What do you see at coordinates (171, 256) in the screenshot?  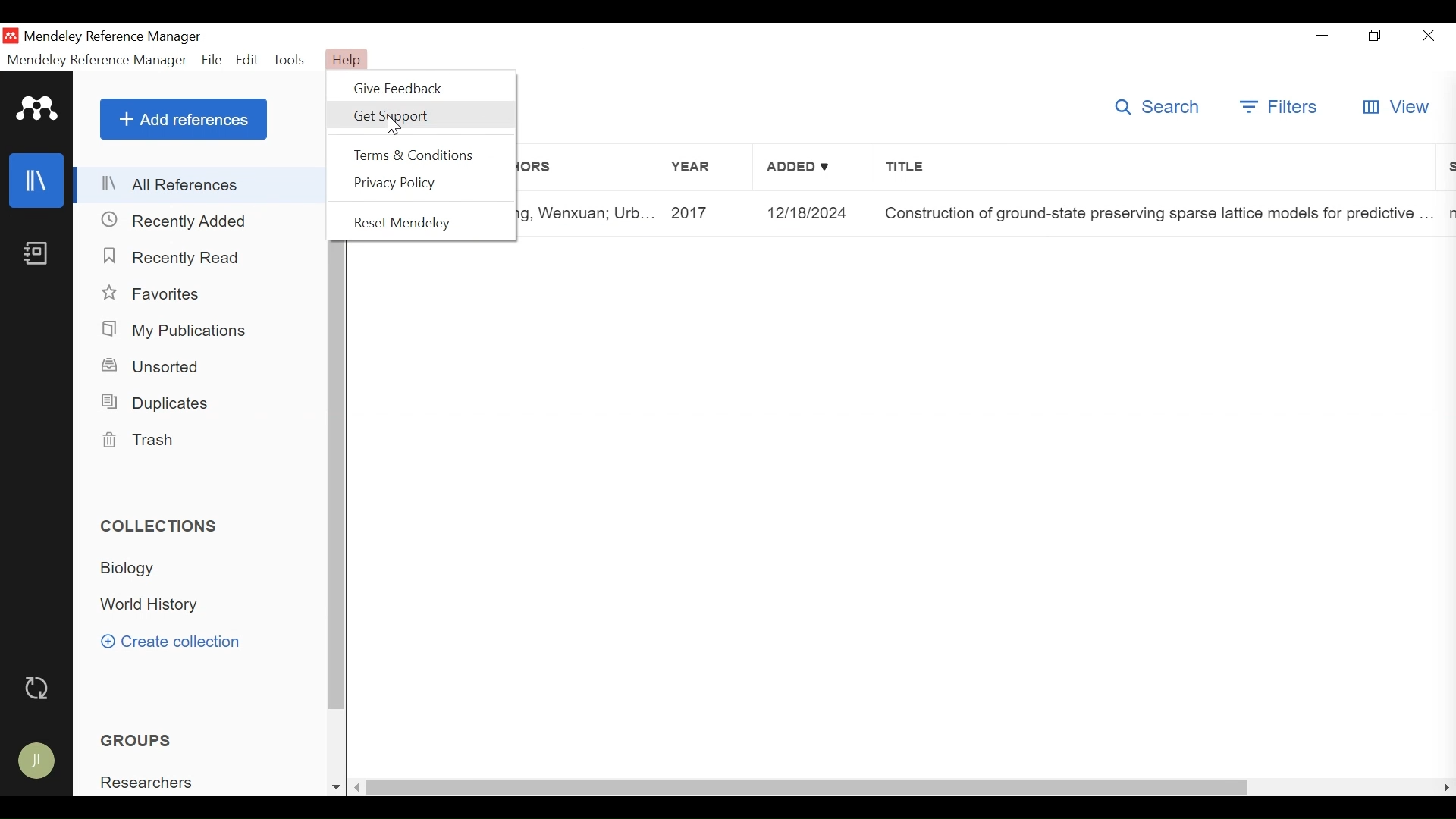 I see `Recently Read` at bounding box center [171, 256].